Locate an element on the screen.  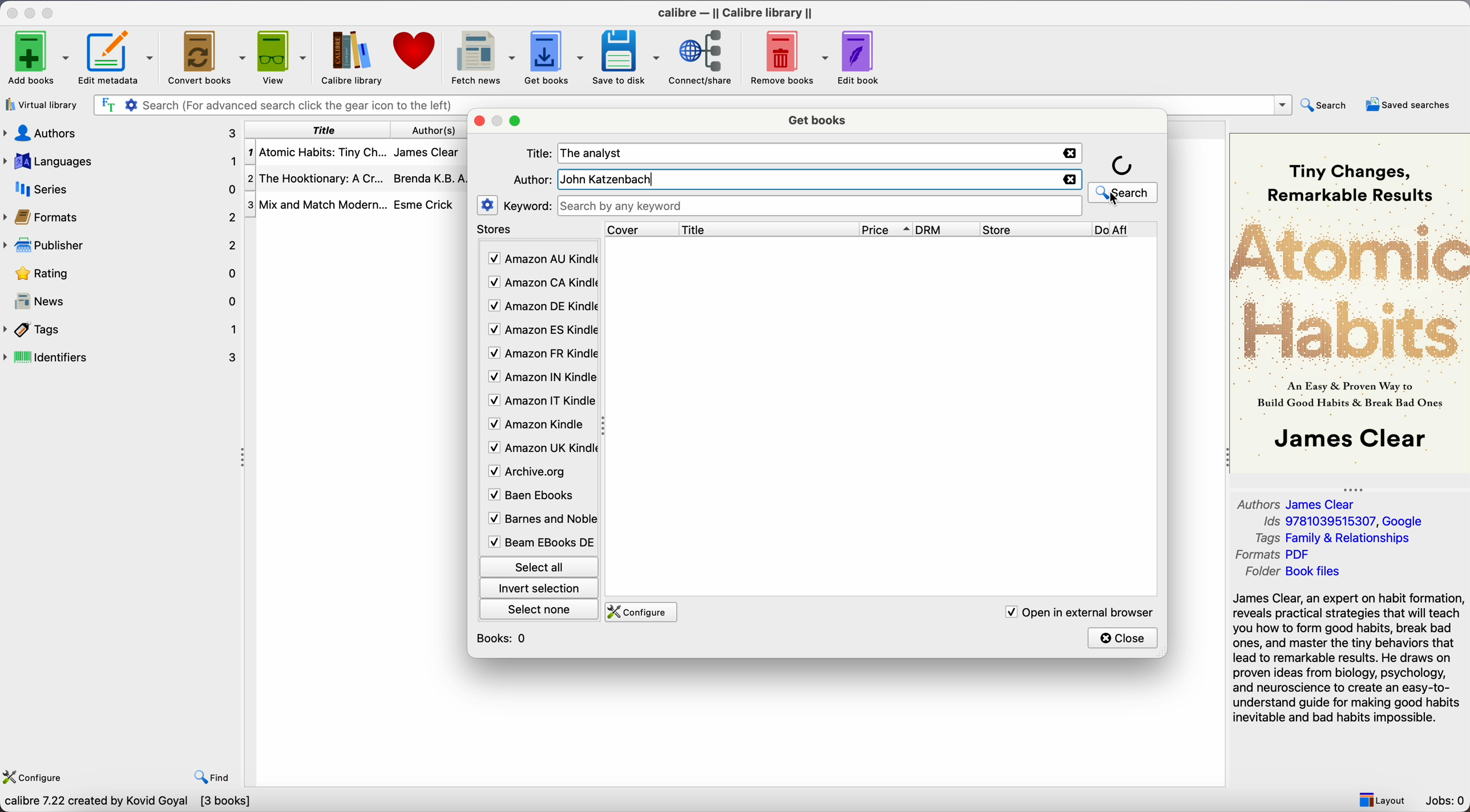
Amazon FR Kindle is located at coordinates (540, 355).